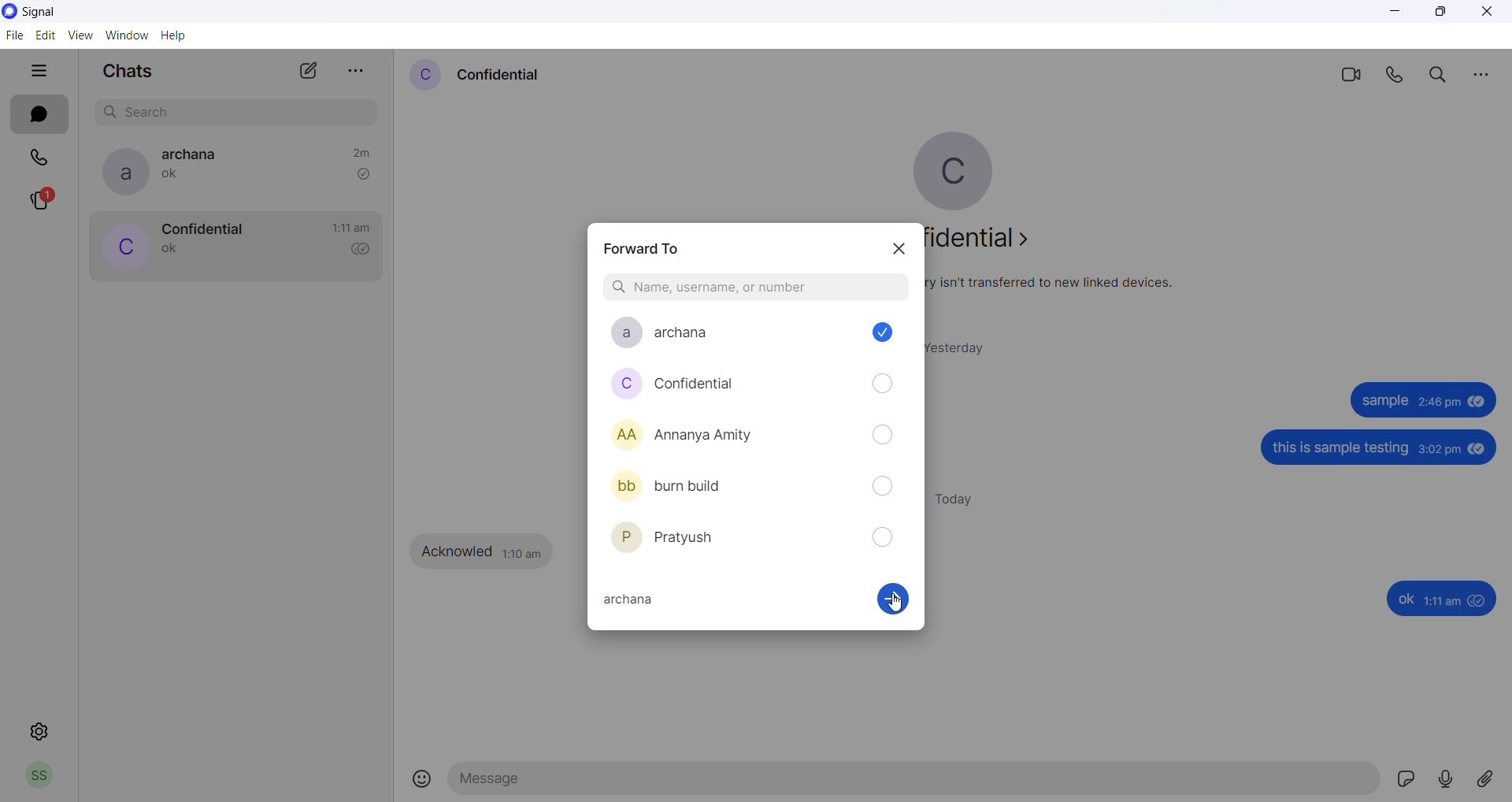  What do you see at coordinates (309, 75) in the screenshot?
I see `new chat` at bounding box center [309, 75].